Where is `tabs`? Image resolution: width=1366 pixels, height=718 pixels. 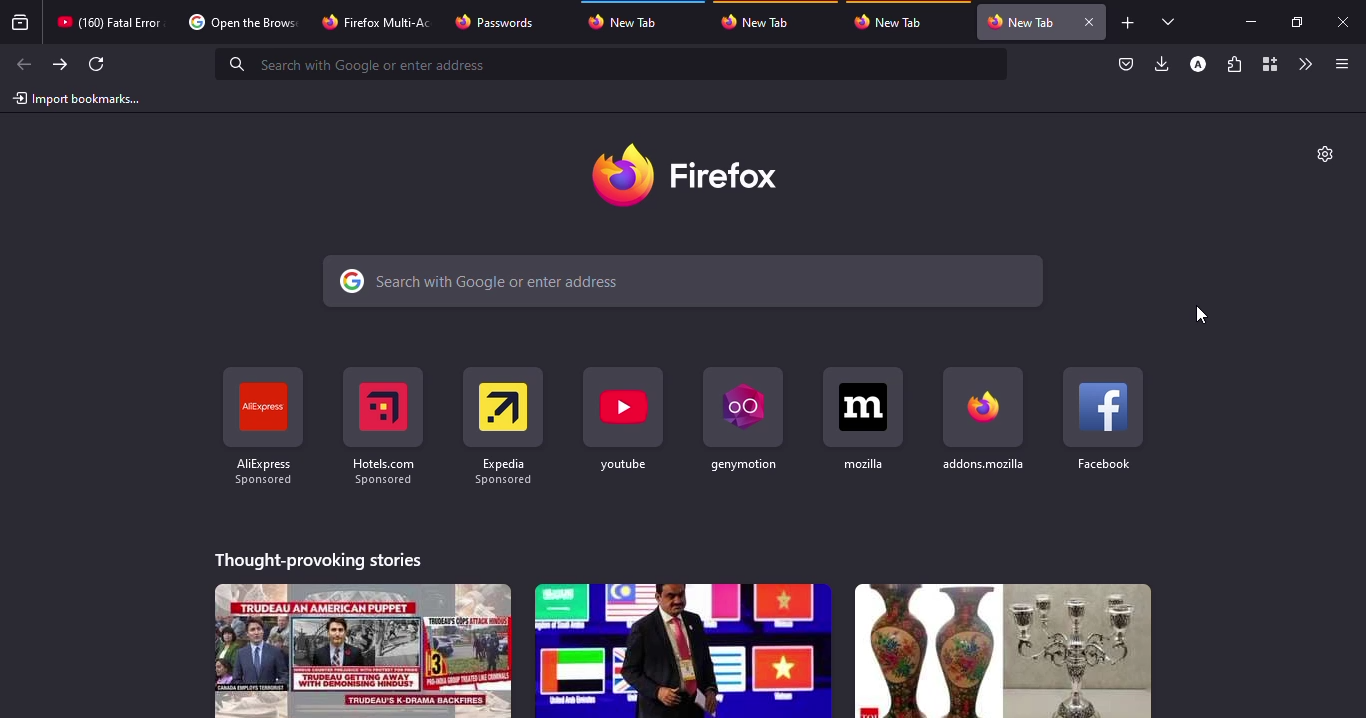
tabs is located at coordinates (1167, 22).